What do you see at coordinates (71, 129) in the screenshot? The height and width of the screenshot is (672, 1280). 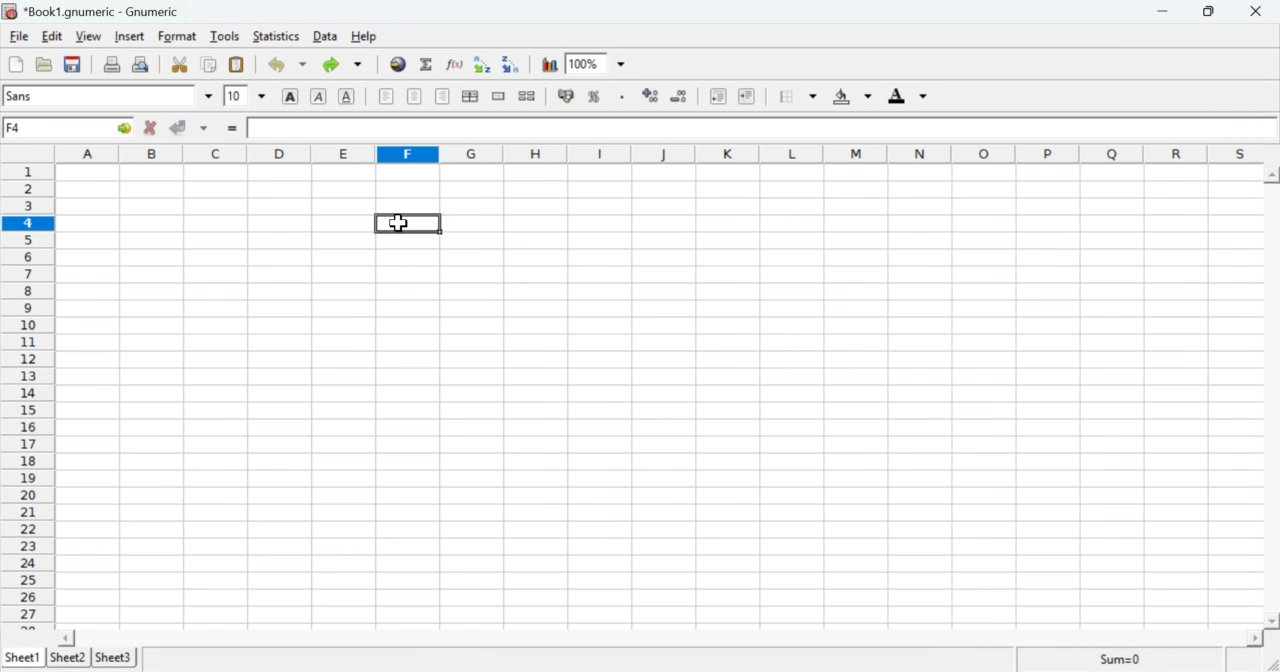 I see `Active cell` at bounding box center [71, 129].